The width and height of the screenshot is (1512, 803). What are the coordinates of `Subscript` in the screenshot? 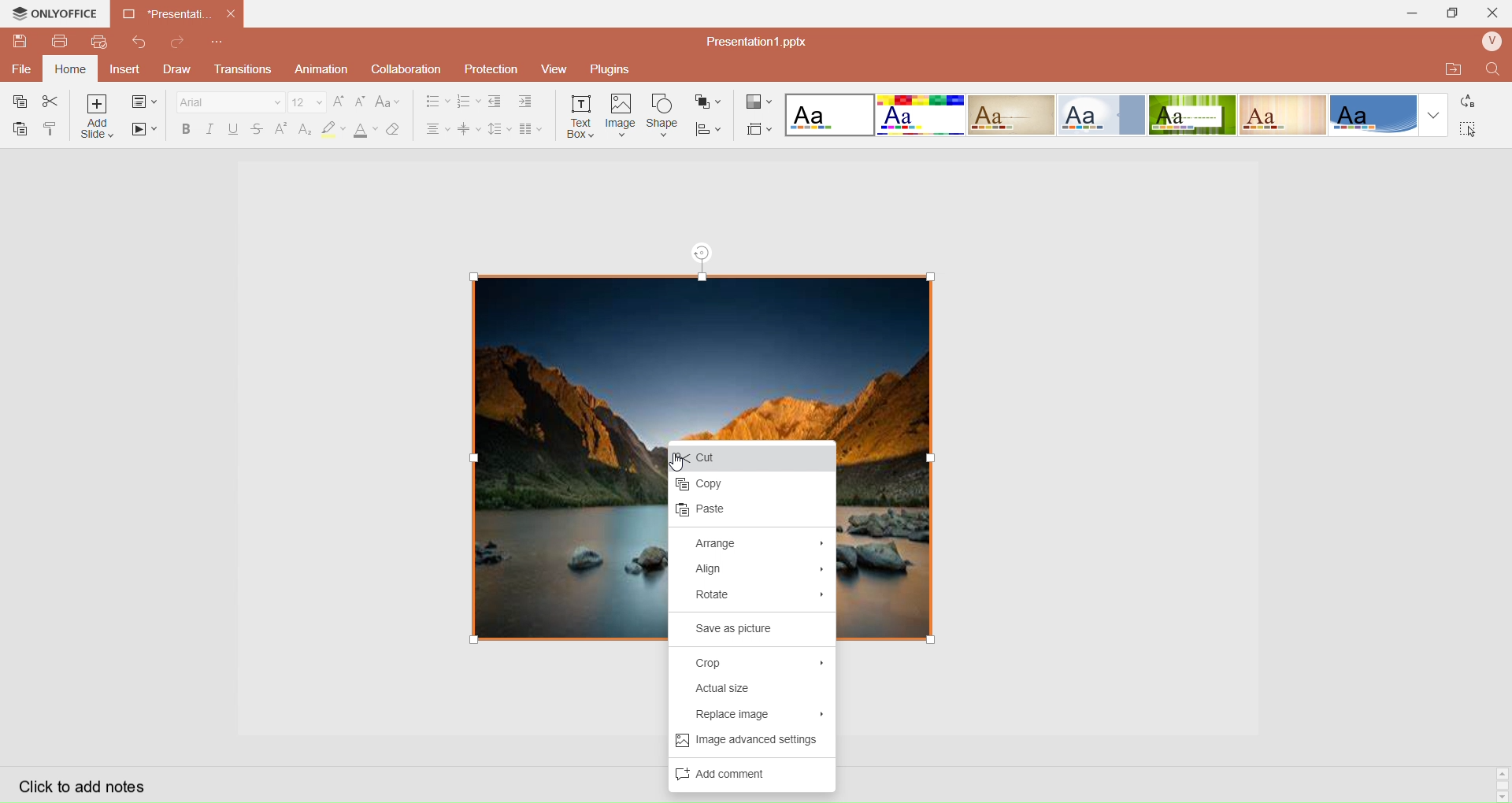 It's located at (306, 130).